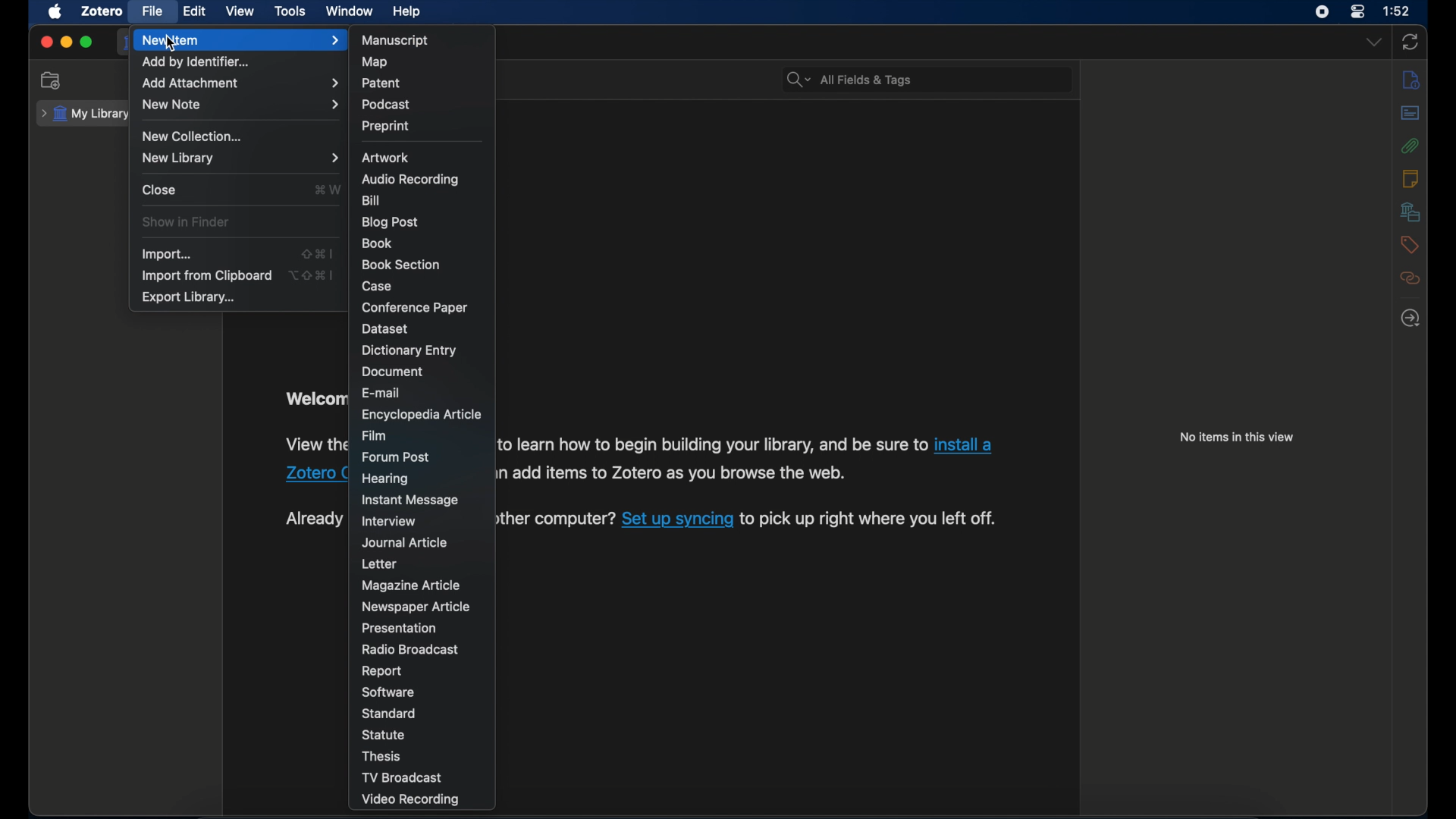  What do you see at coordinates (677, 518) in the screenshot?
I see `Set up syncing` at bounding box center [677, 518].